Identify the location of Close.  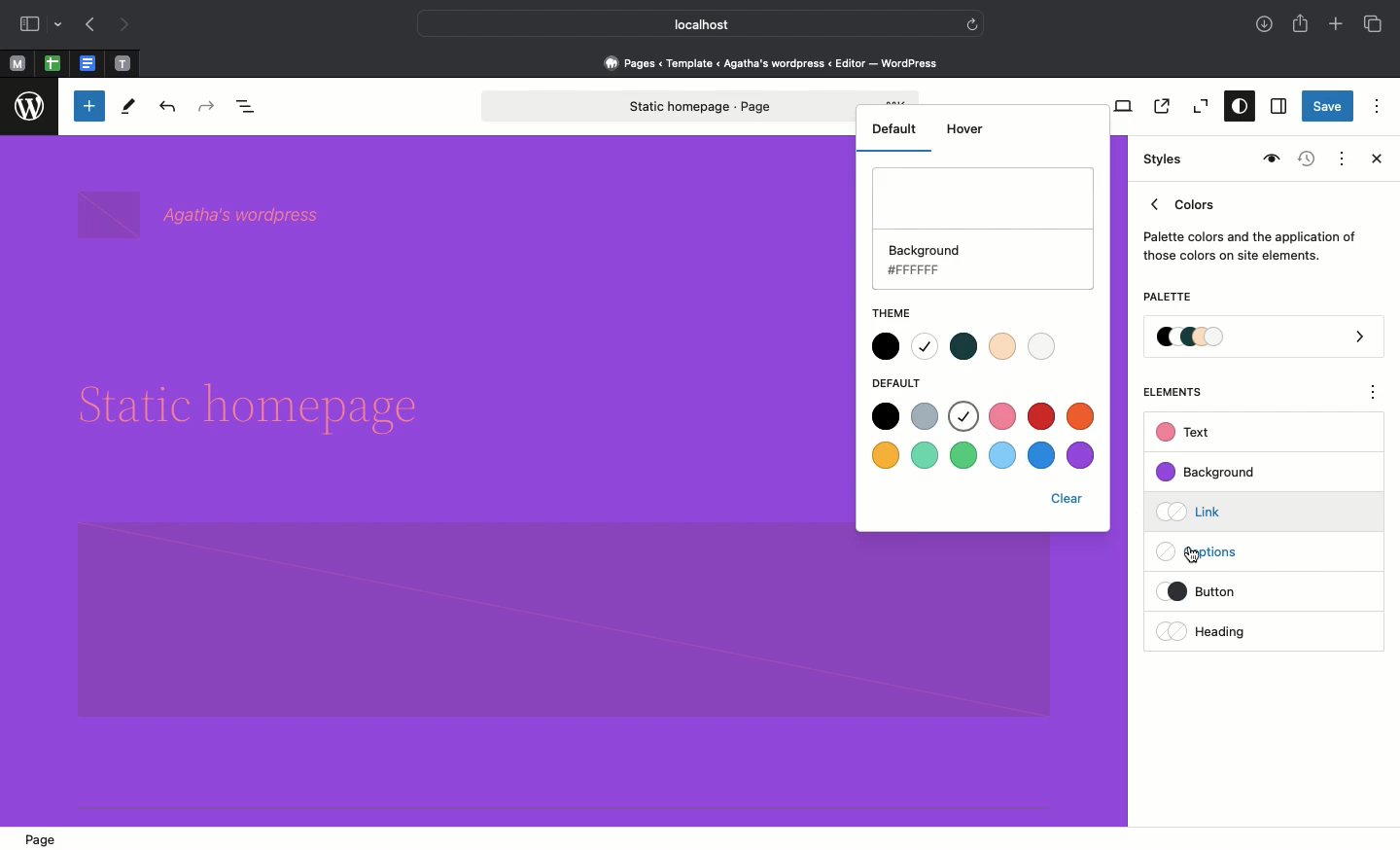
(1373, 160).